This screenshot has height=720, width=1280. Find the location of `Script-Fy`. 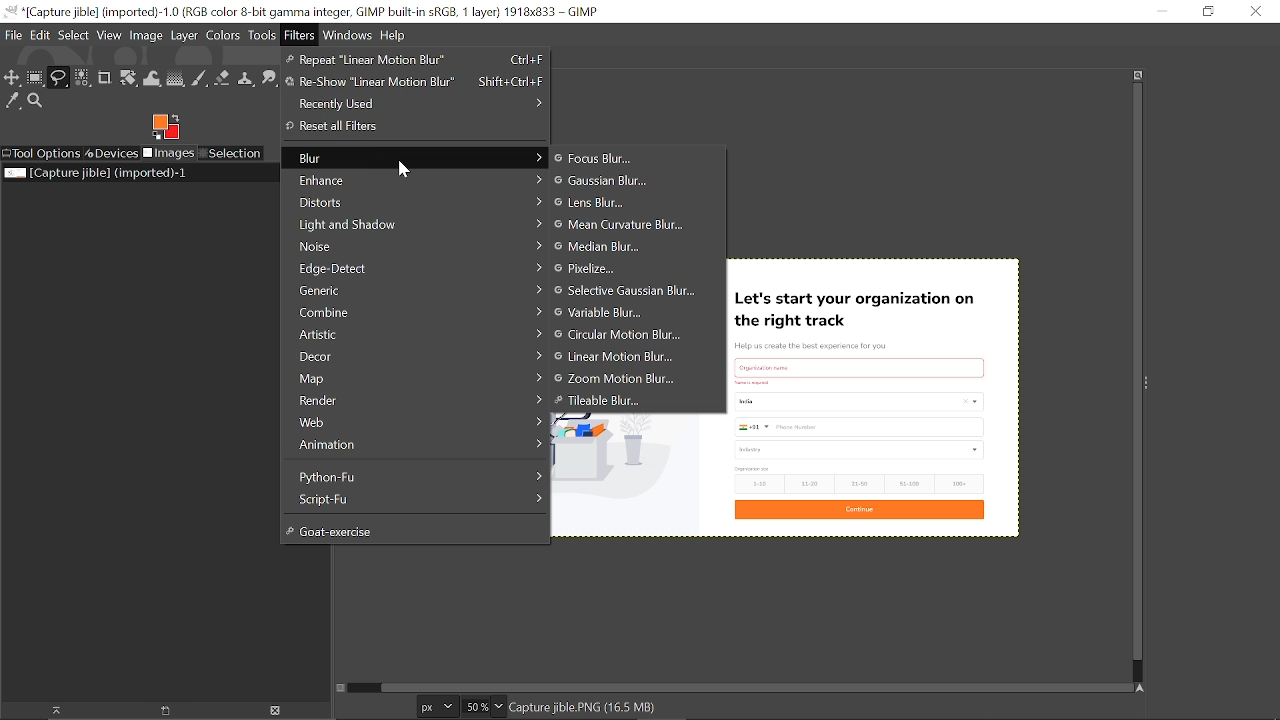

Script-Fy is located at coordinates (414, 499).